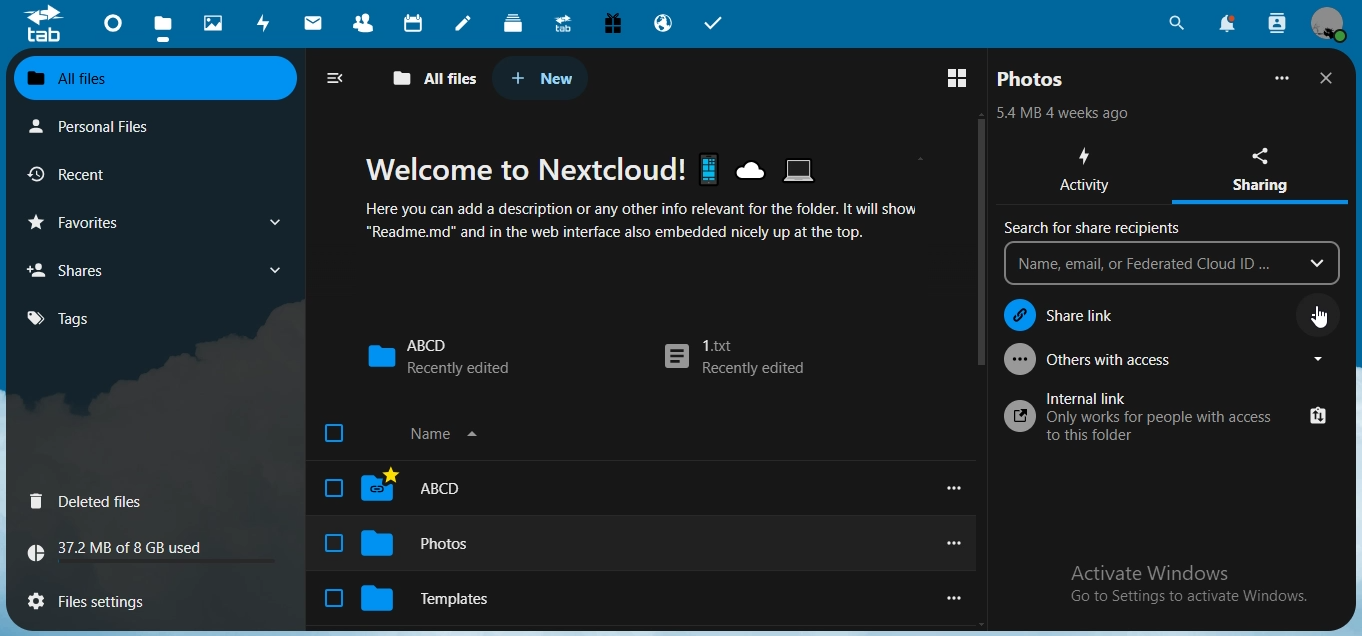 The width and height of the screenshot is (1362, 636). Describe the element at coordinates (369, 25) in the screenshot. I see `contacts` at that location.